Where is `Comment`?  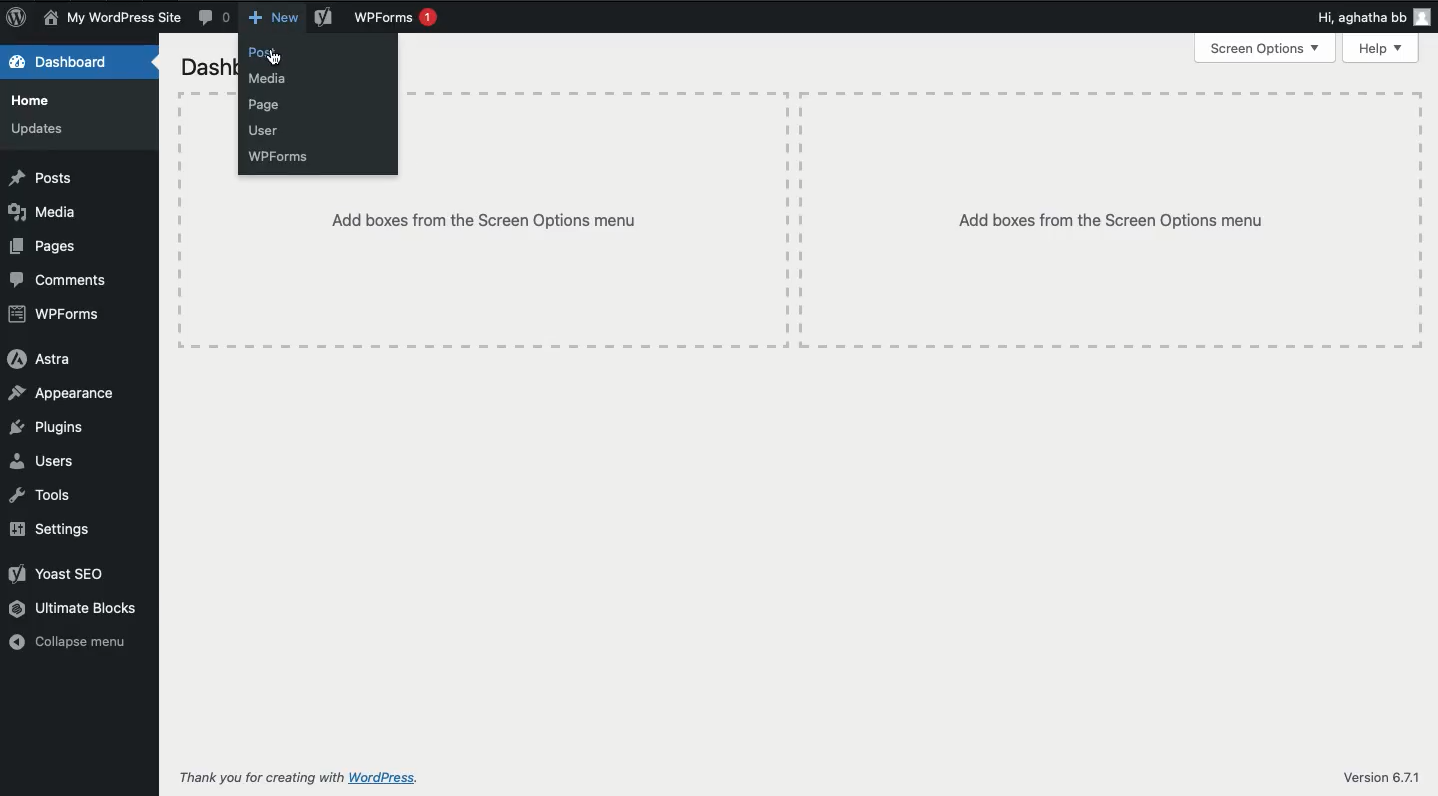
Comment is located at coordinates (216, 17).